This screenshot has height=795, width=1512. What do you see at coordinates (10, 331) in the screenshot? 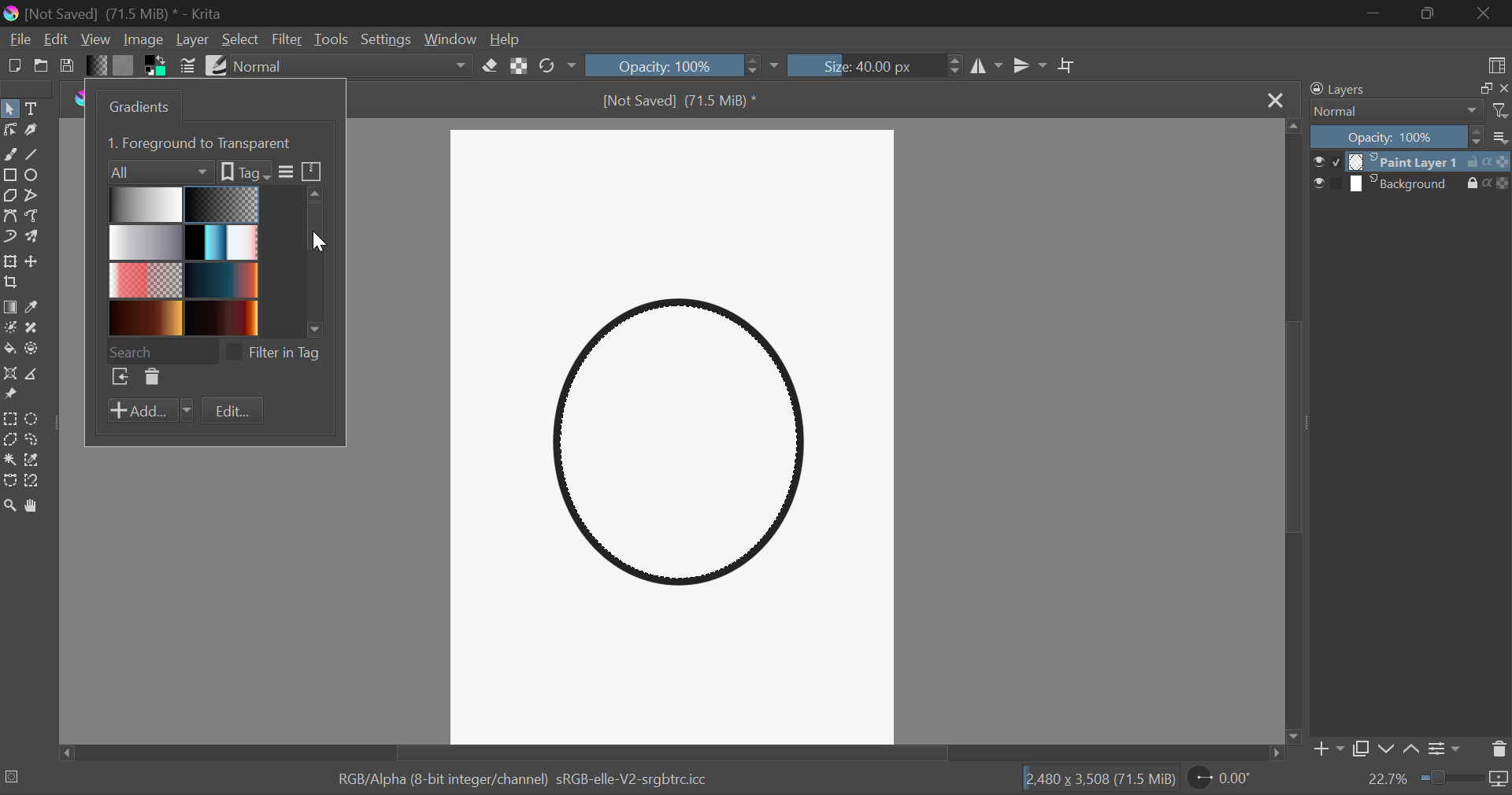
I see `Colorize Mask Tool` at bounding box center [10, 331].